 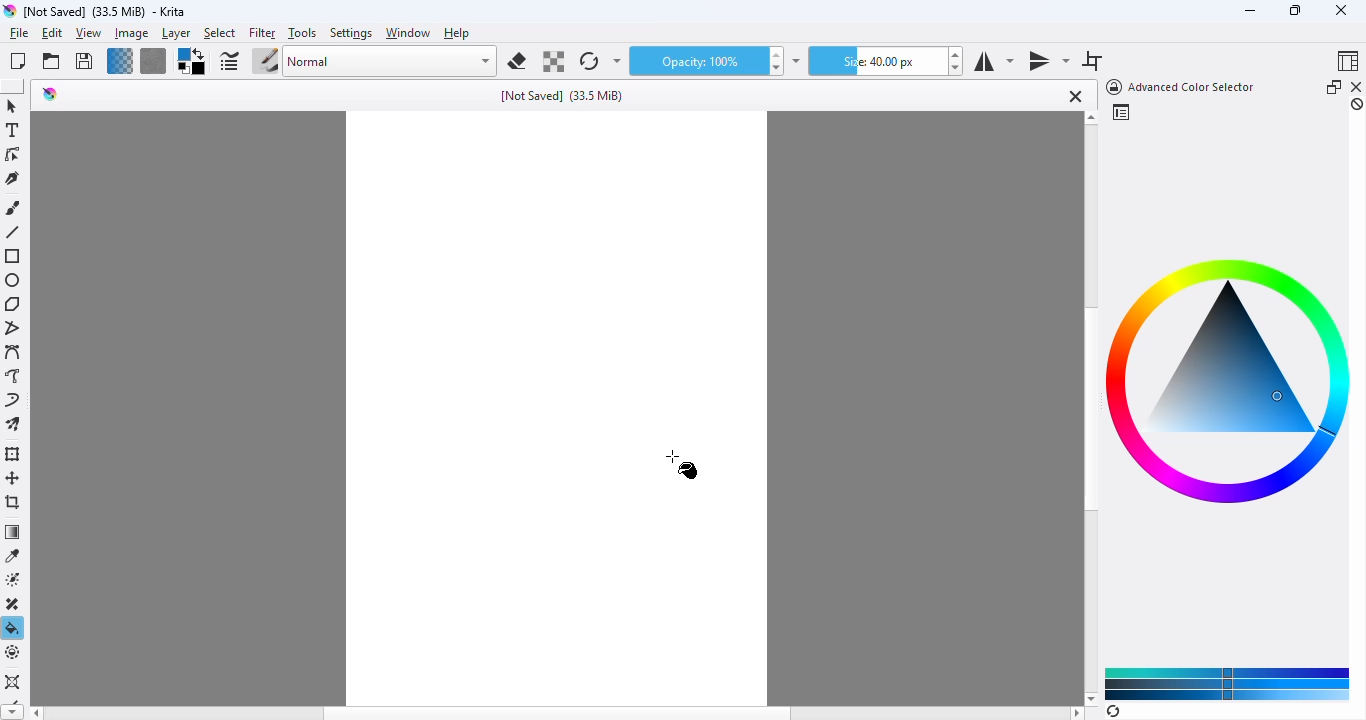 I want to click on blending mode, so click(x=391, y=62).